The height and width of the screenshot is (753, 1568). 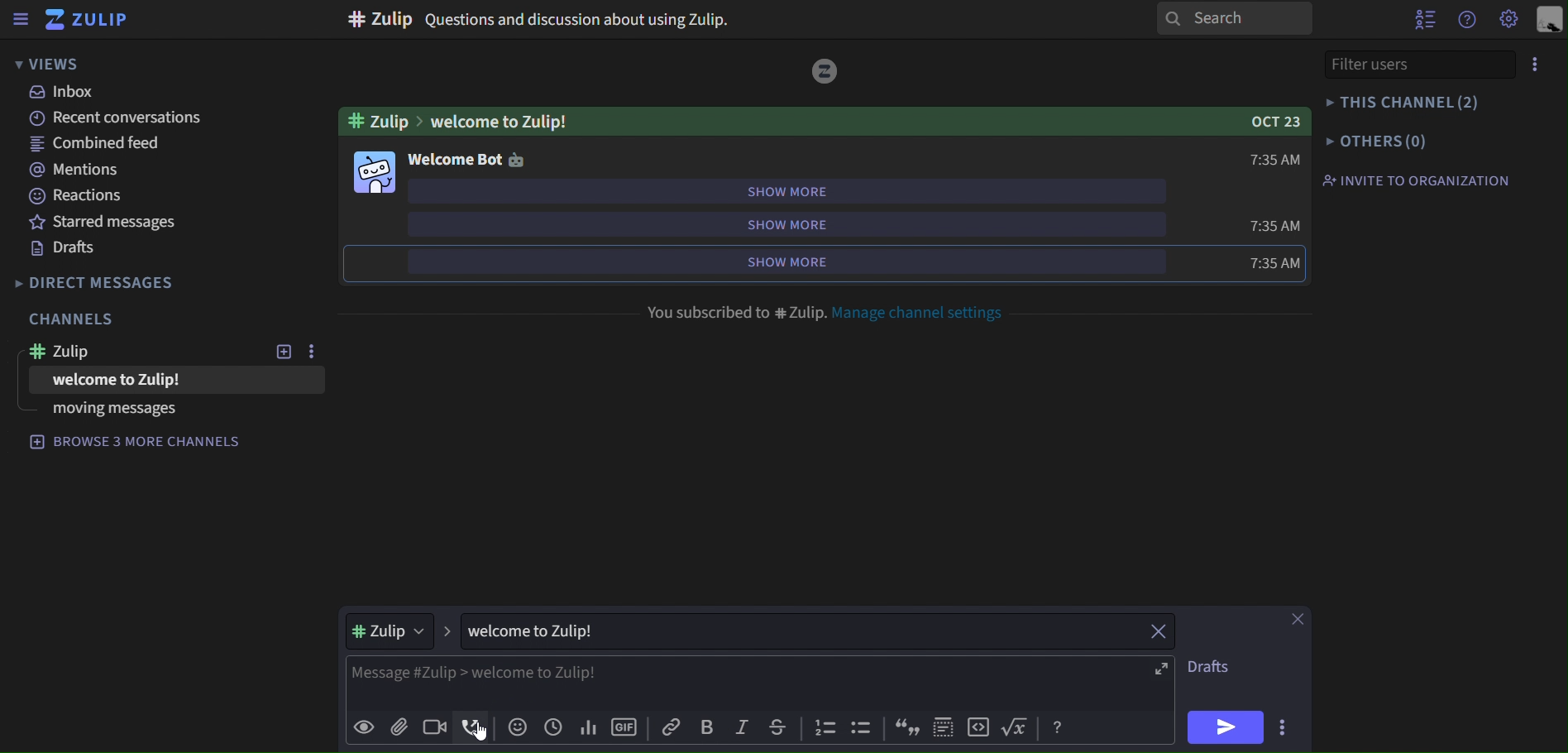 What do you see at coordinates (65, 94) in the screenshot?
I see `inbox` at bounding box center [65, 94].